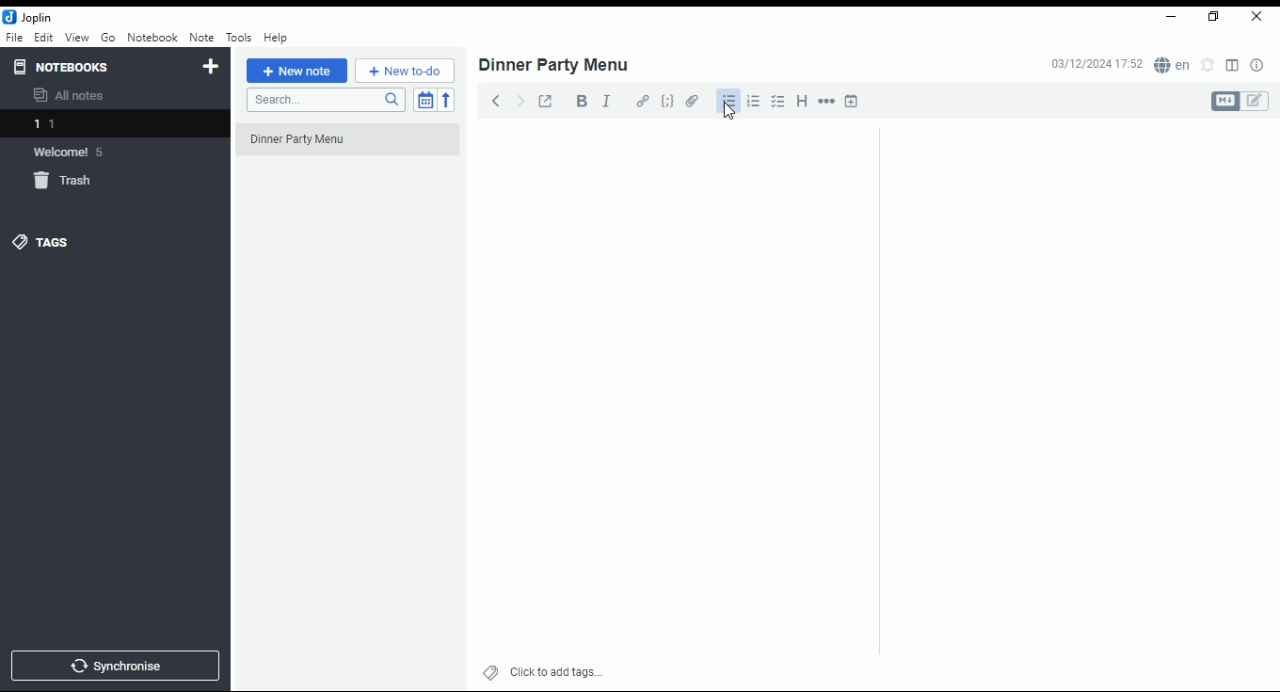  Describe the element at coordinates (1208, 65) in the screenshot. I see `set alarm` at that location.